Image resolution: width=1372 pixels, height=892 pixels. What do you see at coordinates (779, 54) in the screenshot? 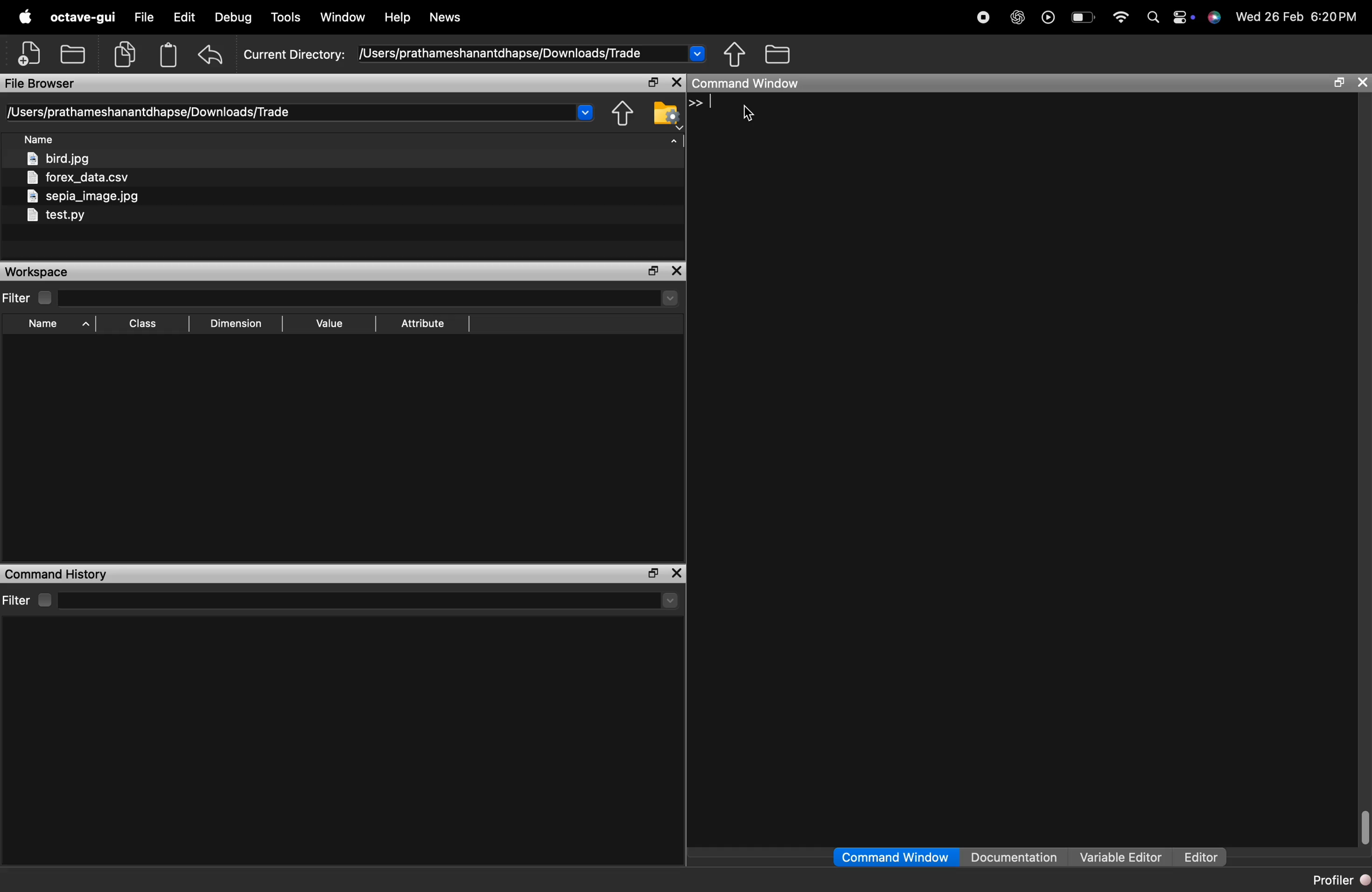
I see `Folder` at bounding box center [779, 54].